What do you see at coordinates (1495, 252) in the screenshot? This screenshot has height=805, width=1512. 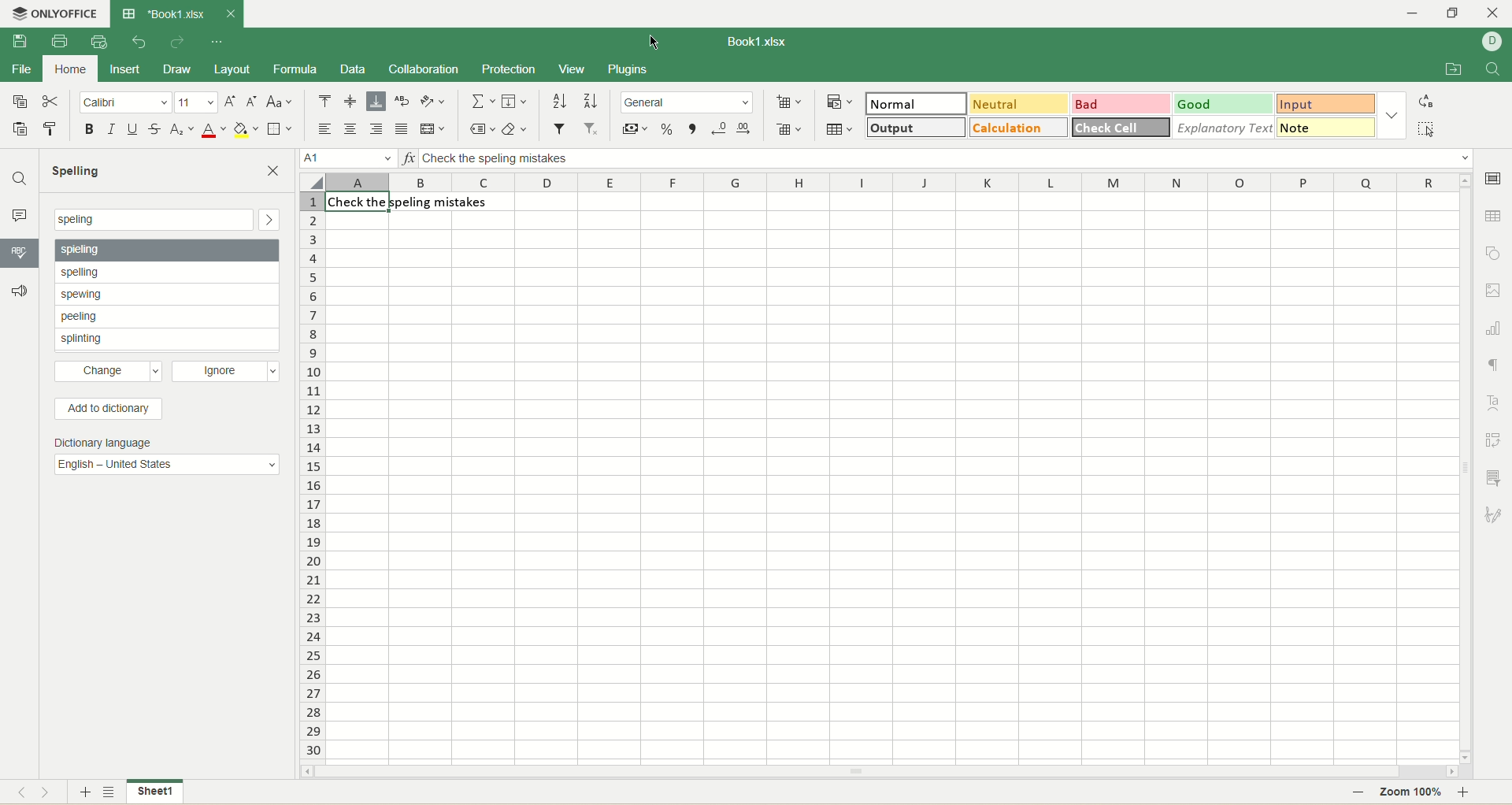 I see `object settings` at bounding box center [1495, 252].